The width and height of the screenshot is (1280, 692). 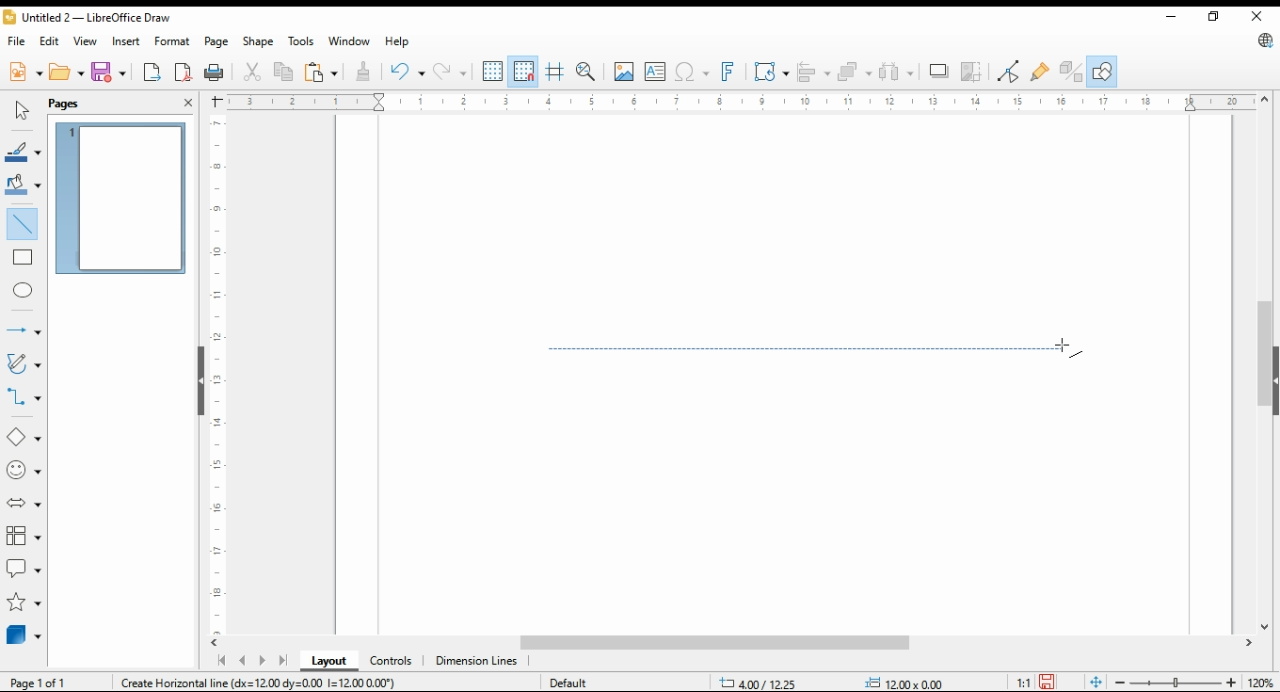 What do you see at coordinates (25, 536) in the screenshot?
I see `flowchart` at bounding box center [25, 536].